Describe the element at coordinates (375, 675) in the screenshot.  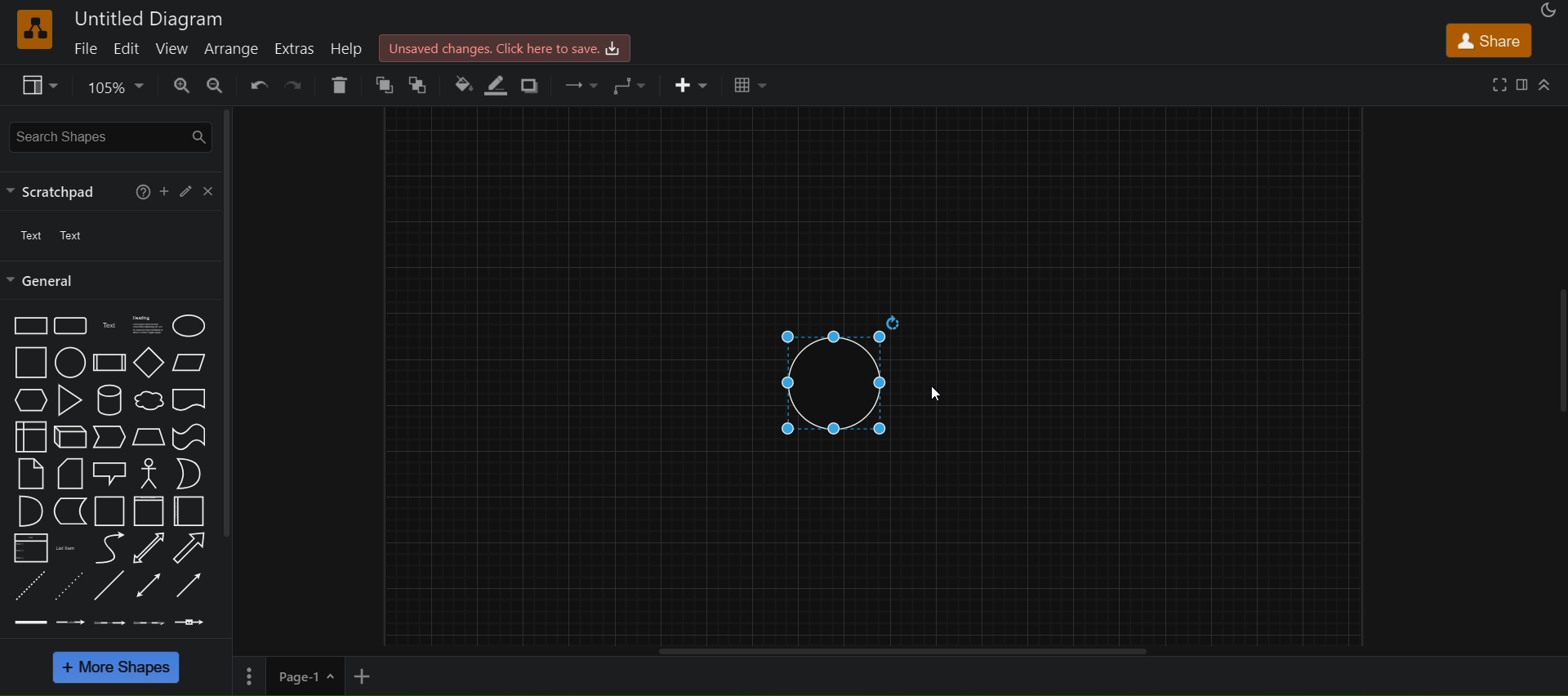
I see `add new page` at that location.